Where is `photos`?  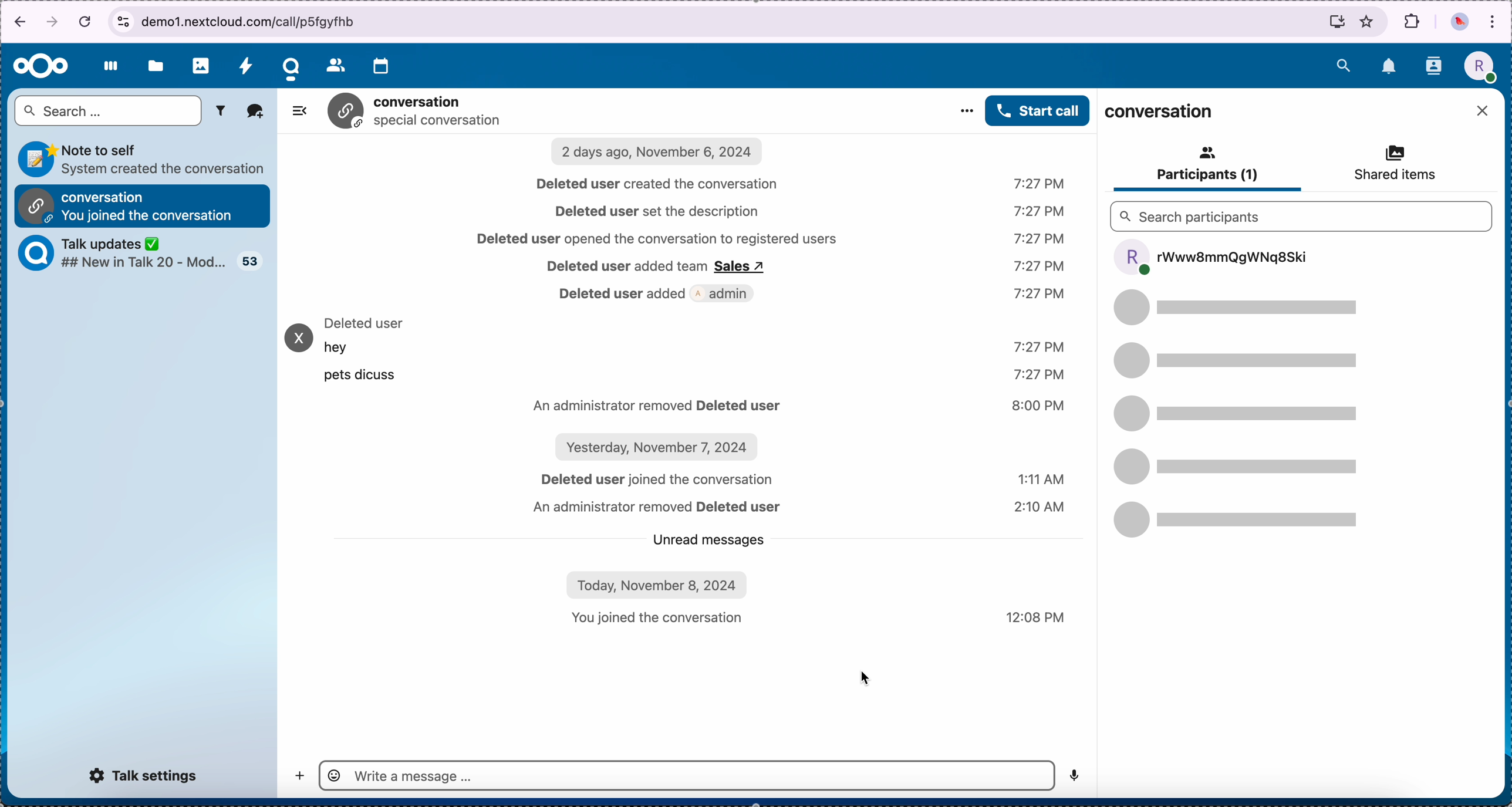
photos is located at coordinates (201, 64).